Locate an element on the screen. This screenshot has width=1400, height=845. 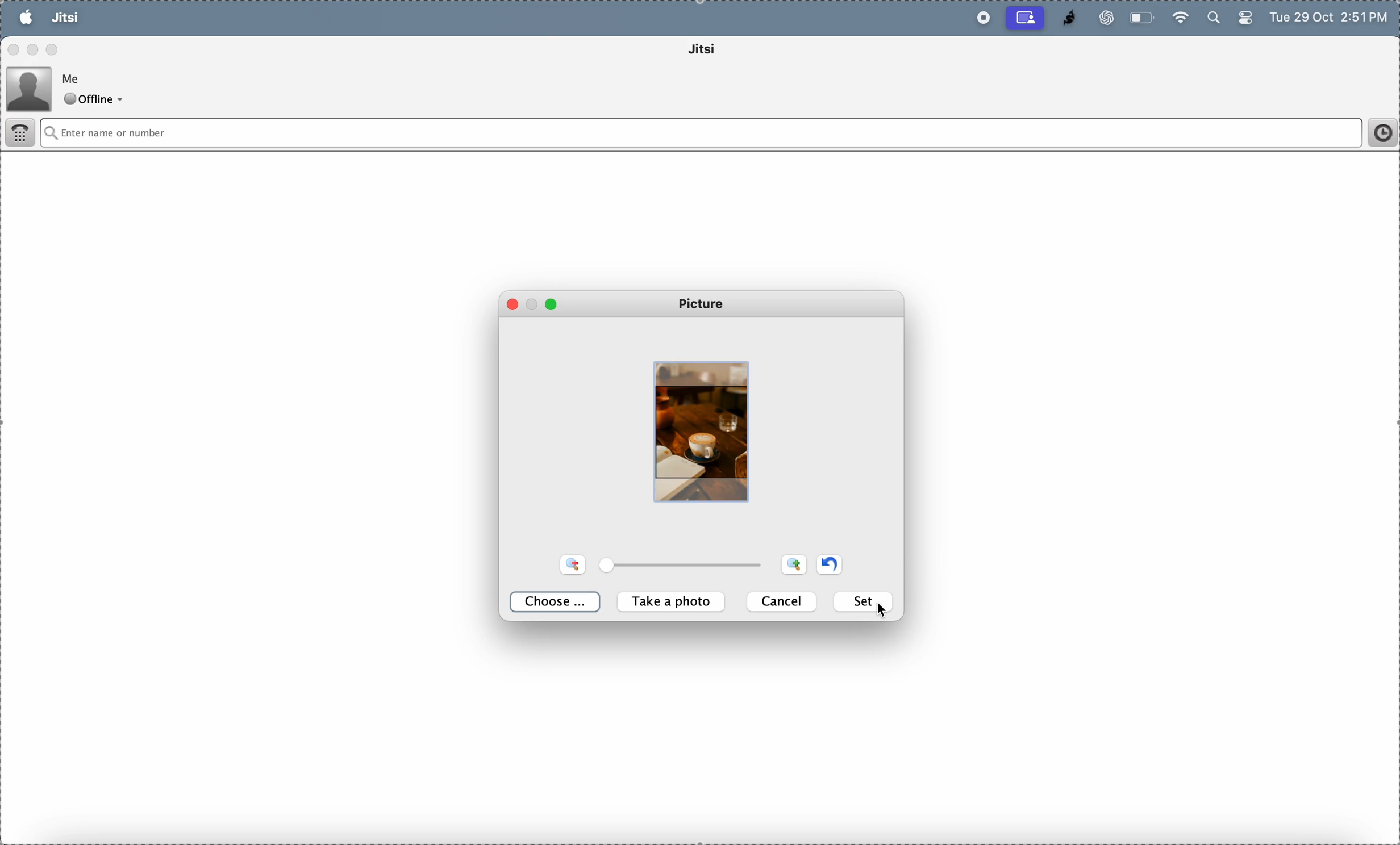
search is located at coordinates (1212, 19).